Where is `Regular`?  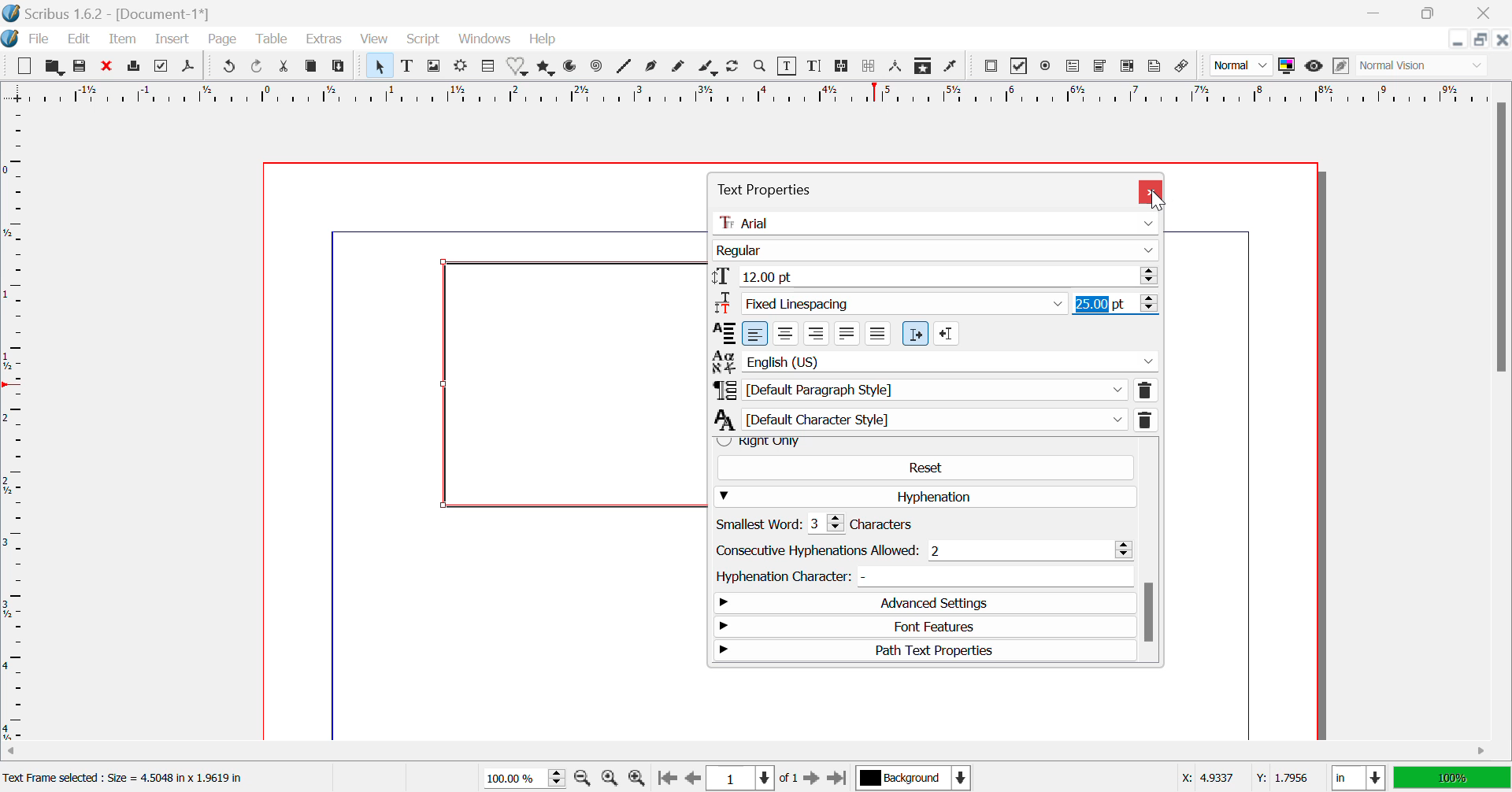
Regular is located at coordinates (936, 251).